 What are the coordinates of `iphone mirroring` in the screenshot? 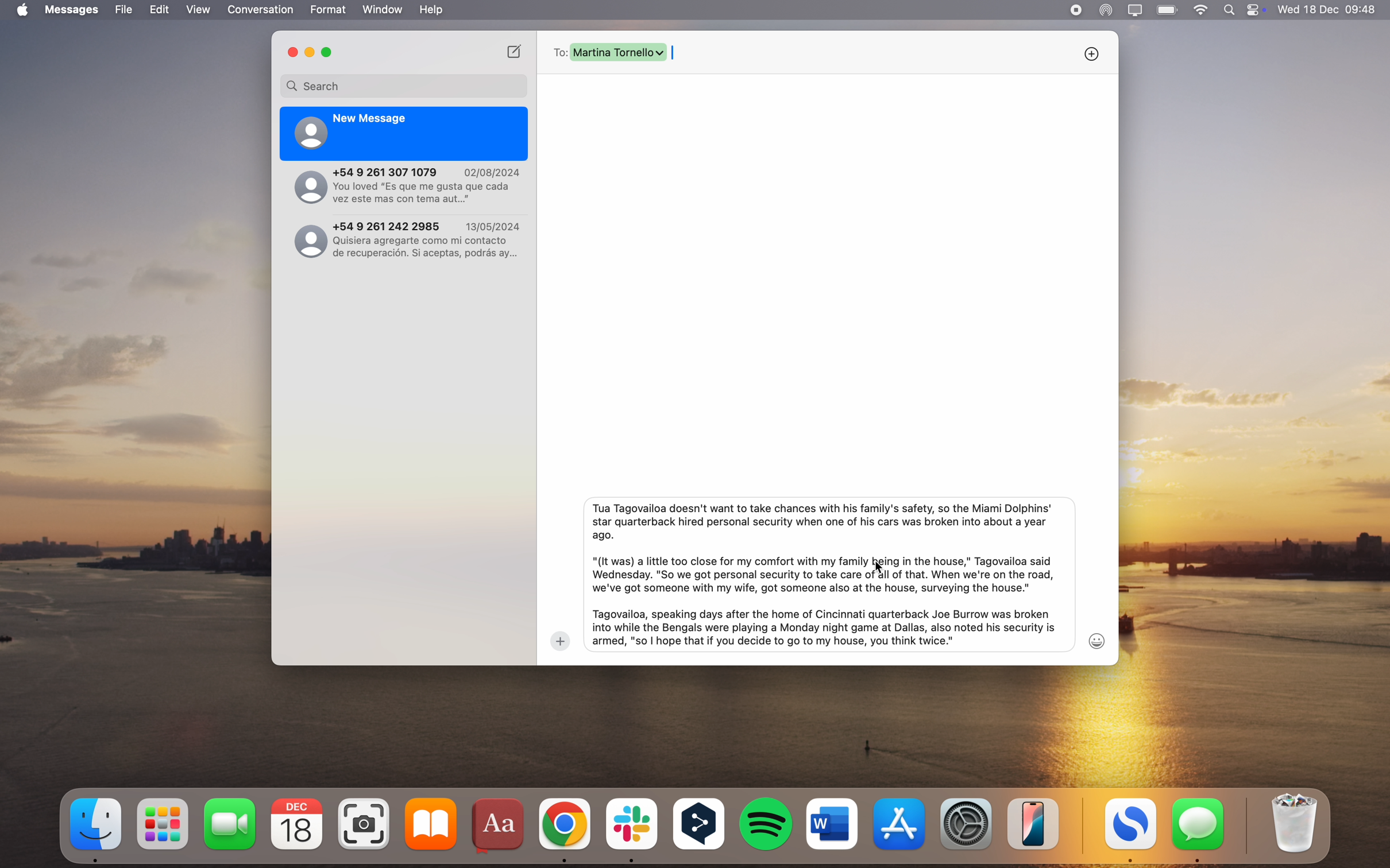 It's located at (1034, 823).